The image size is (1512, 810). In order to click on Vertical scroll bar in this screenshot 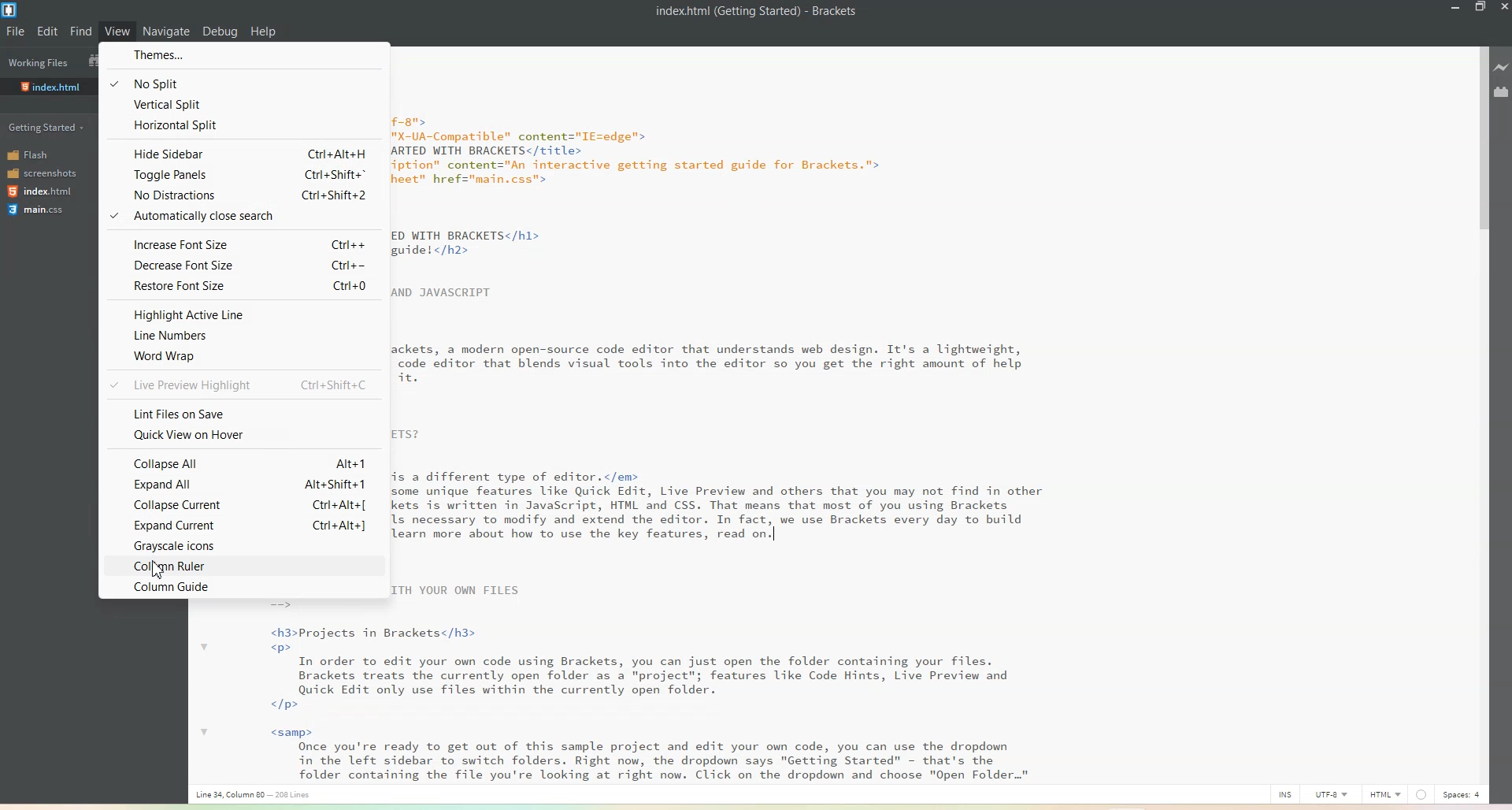, I will do `click(1480, 414)`.